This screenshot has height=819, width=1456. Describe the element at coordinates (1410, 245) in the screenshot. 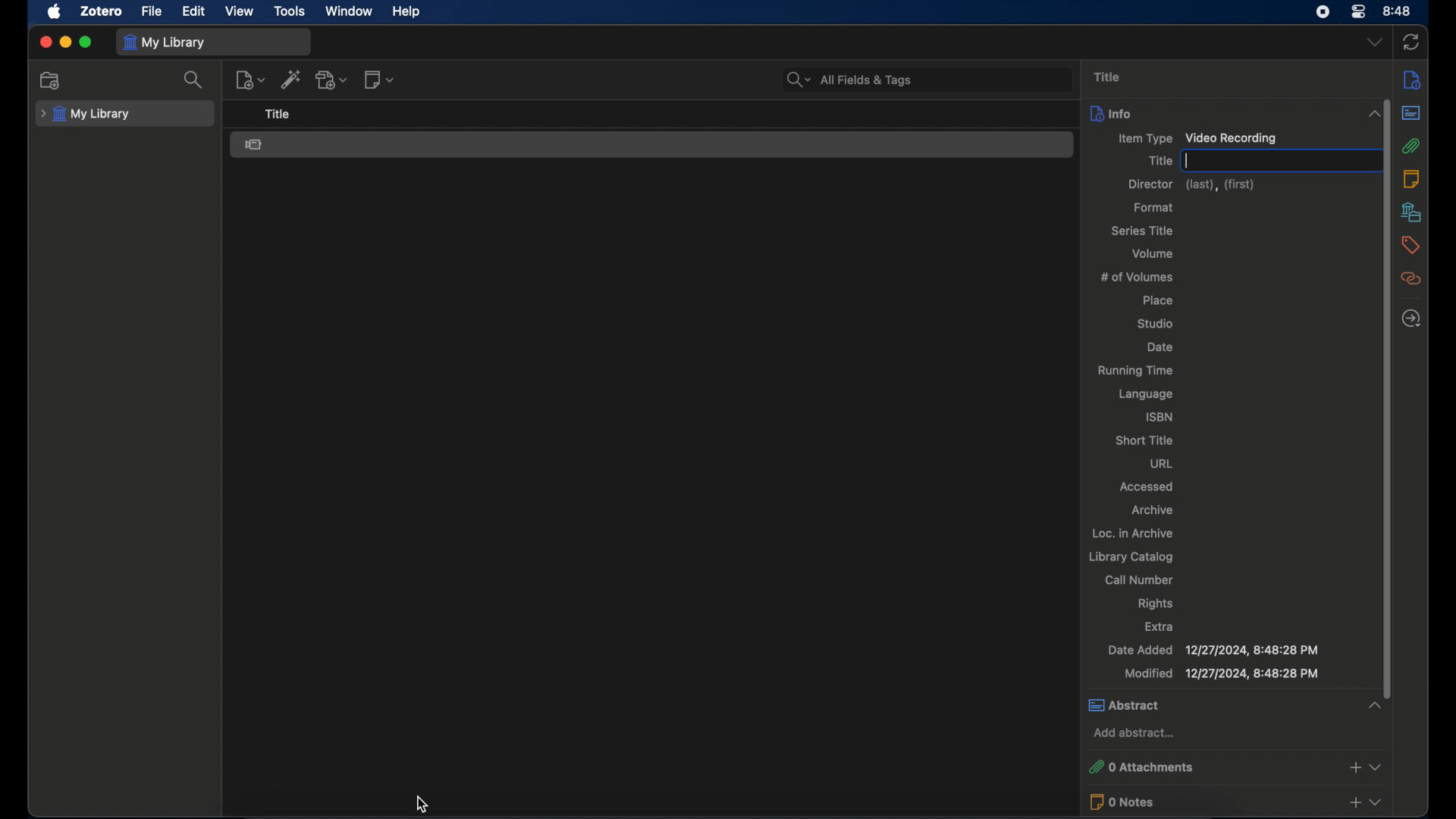

I see `tags` at that location.